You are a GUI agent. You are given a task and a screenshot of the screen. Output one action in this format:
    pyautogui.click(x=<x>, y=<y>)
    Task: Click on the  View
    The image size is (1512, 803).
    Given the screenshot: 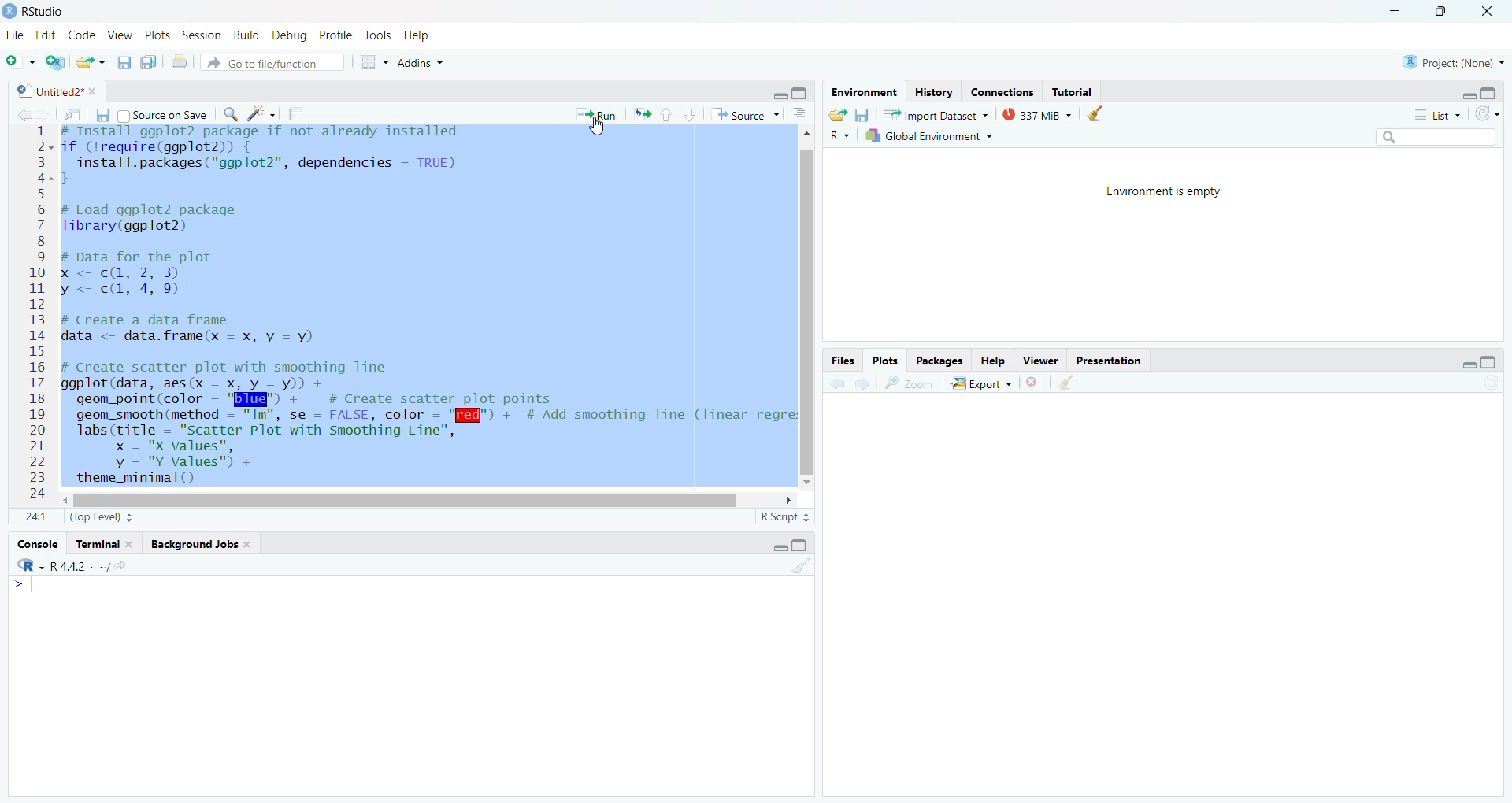 What is the action you would take?
    pyautogui.click(x=119, y=35)
    